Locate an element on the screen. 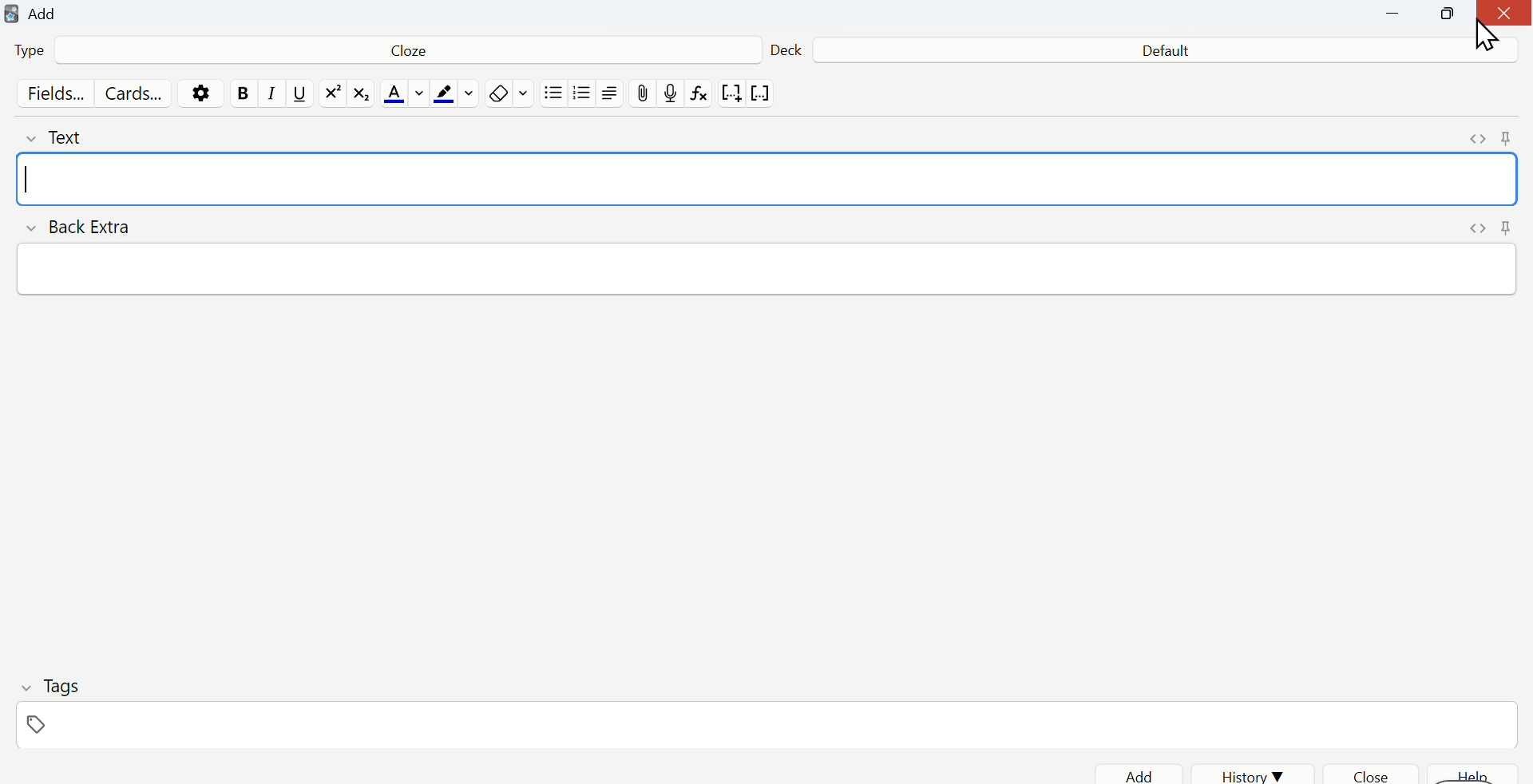  Input text is located at coordinates (770, 179).